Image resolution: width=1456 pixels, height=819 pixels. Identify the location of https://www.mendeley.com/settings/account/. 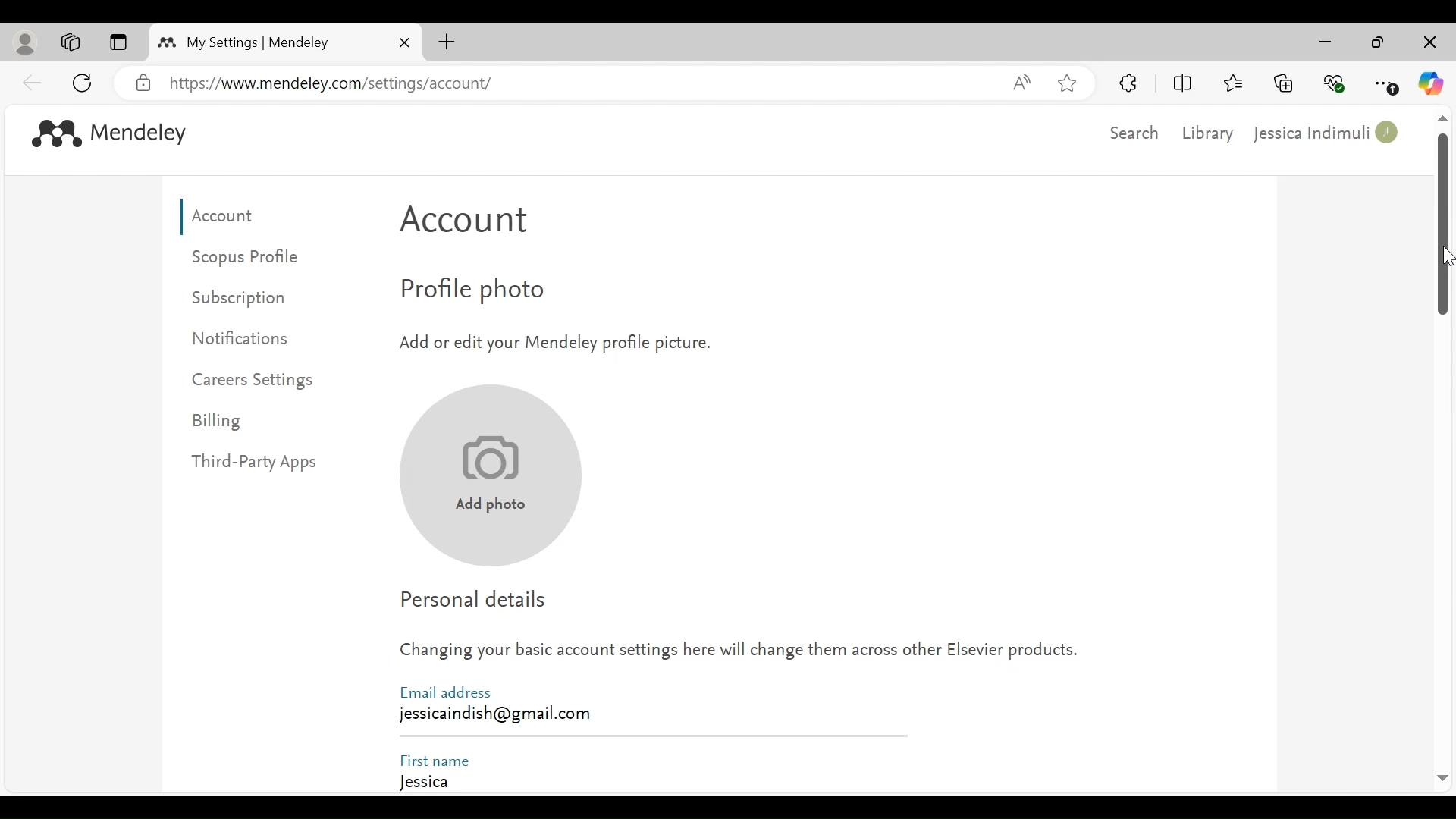
(581, 83).